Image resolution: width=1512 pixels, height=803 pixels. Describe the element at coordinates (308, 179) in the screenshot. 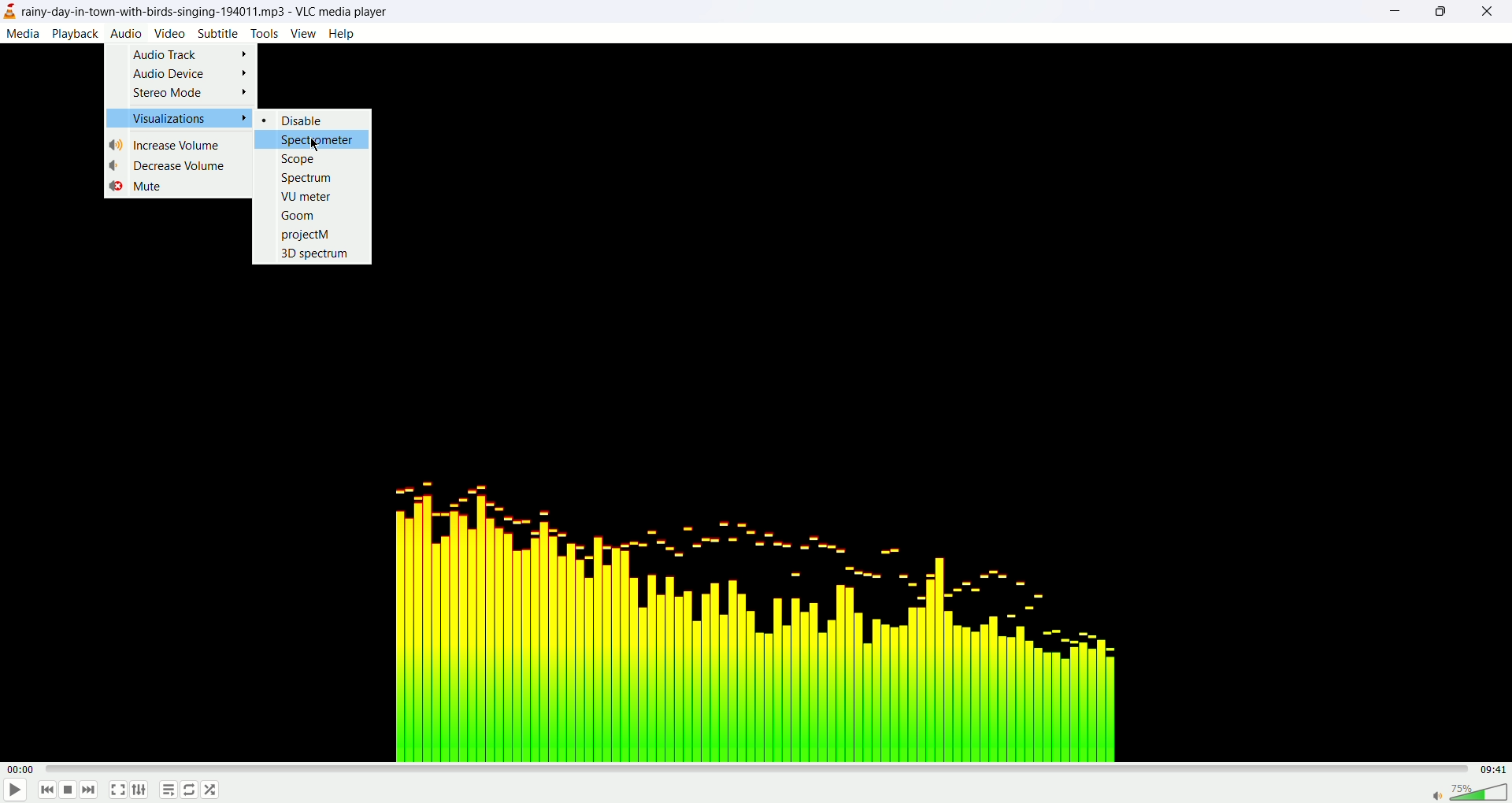

I see `spectrum` at that location.